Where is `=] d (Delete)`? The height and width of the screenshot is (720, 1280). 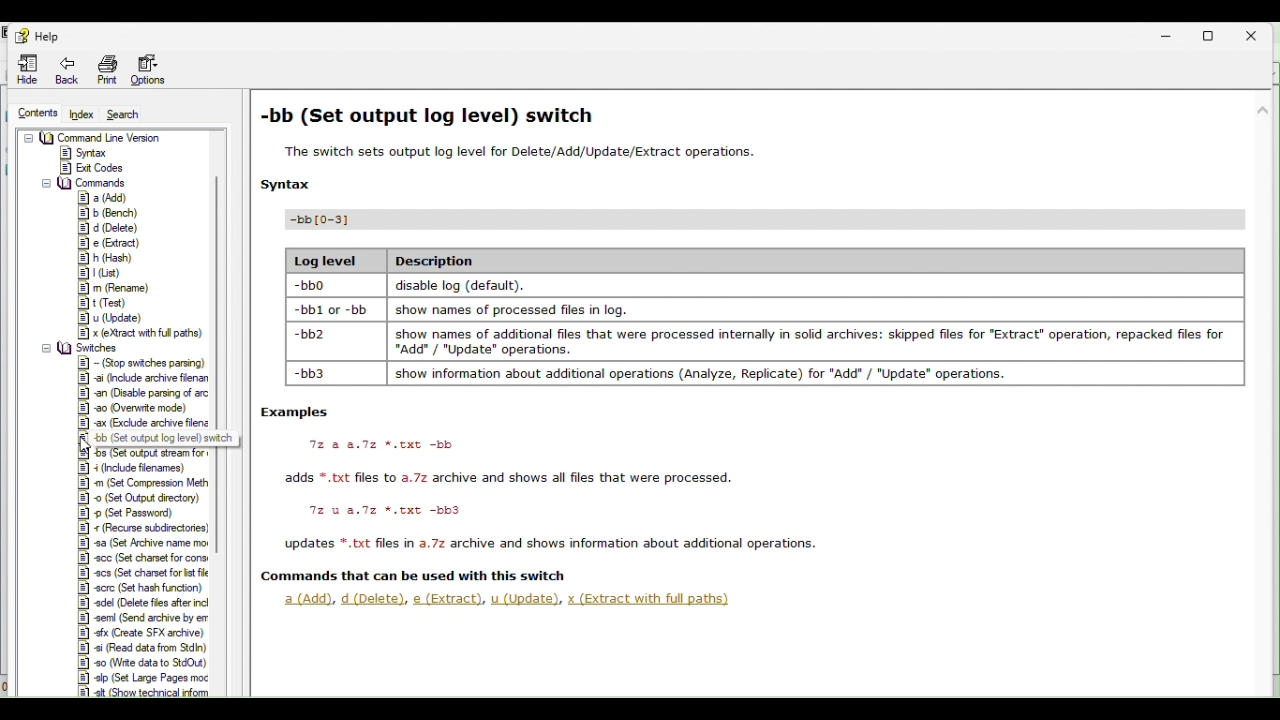 =] d (Delete) is located at coordinates (108, 228).